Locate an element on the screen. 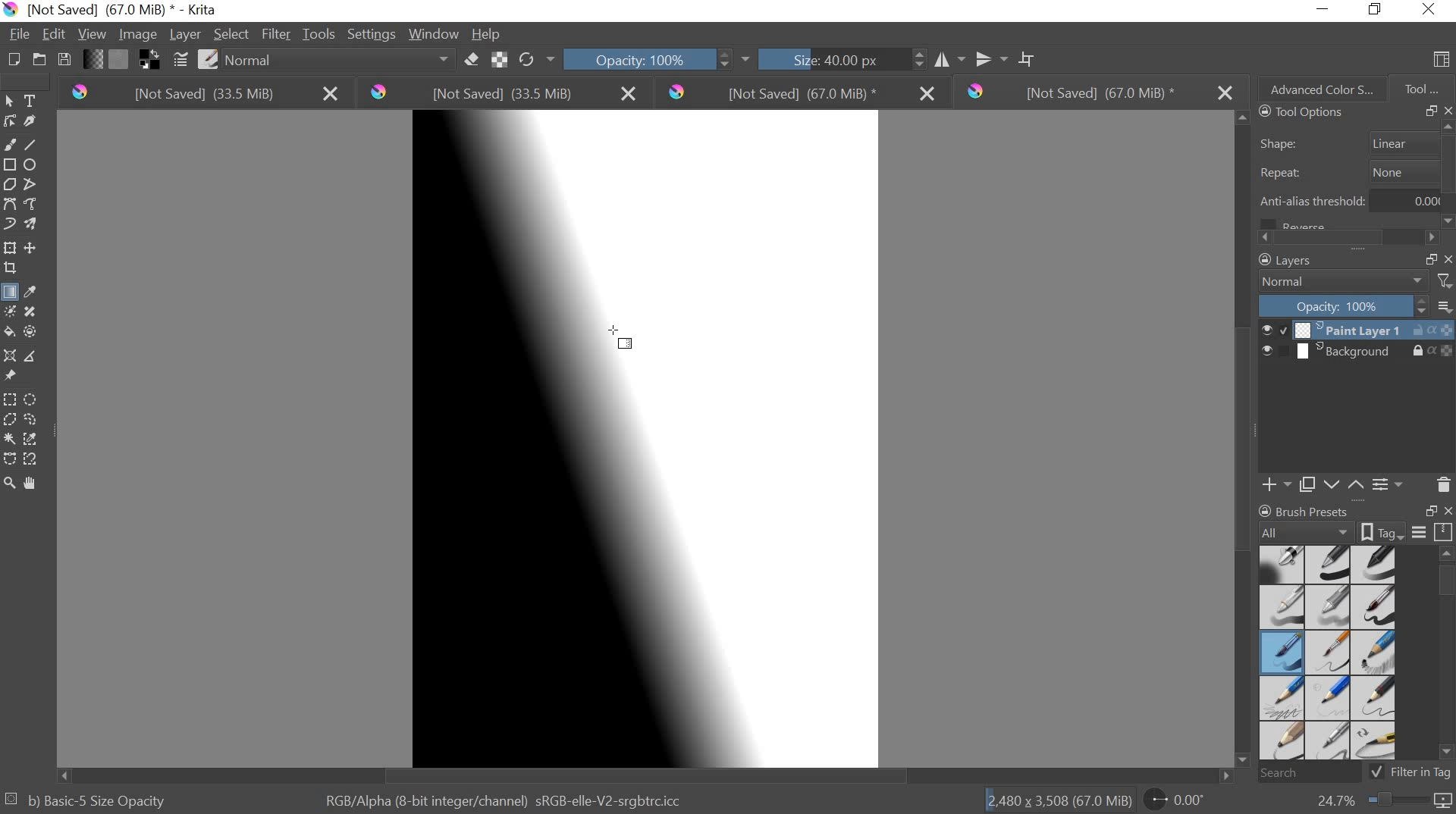  GRADIENT ADDED is located at coordinates (590, 439).